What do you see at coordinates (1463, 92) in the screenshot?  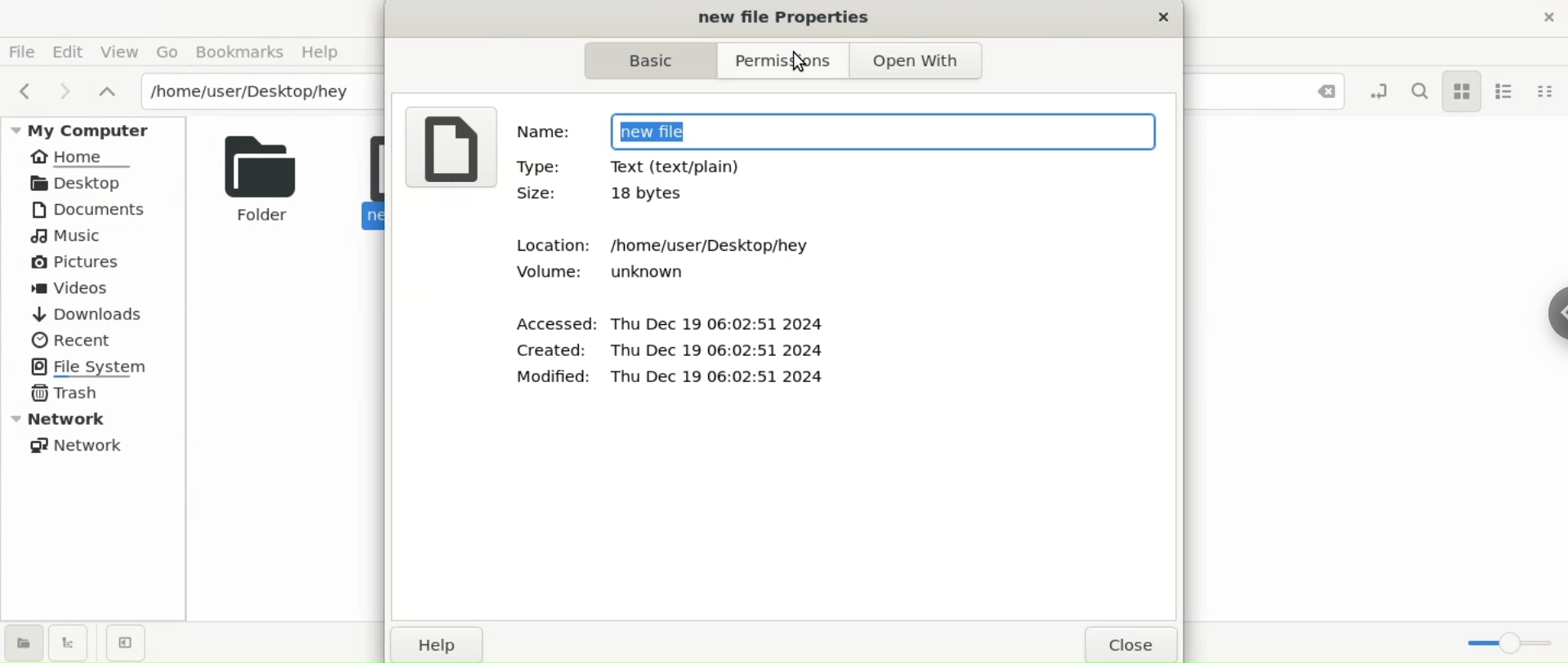 I see `icon view` at bounding box center [1463, 92].